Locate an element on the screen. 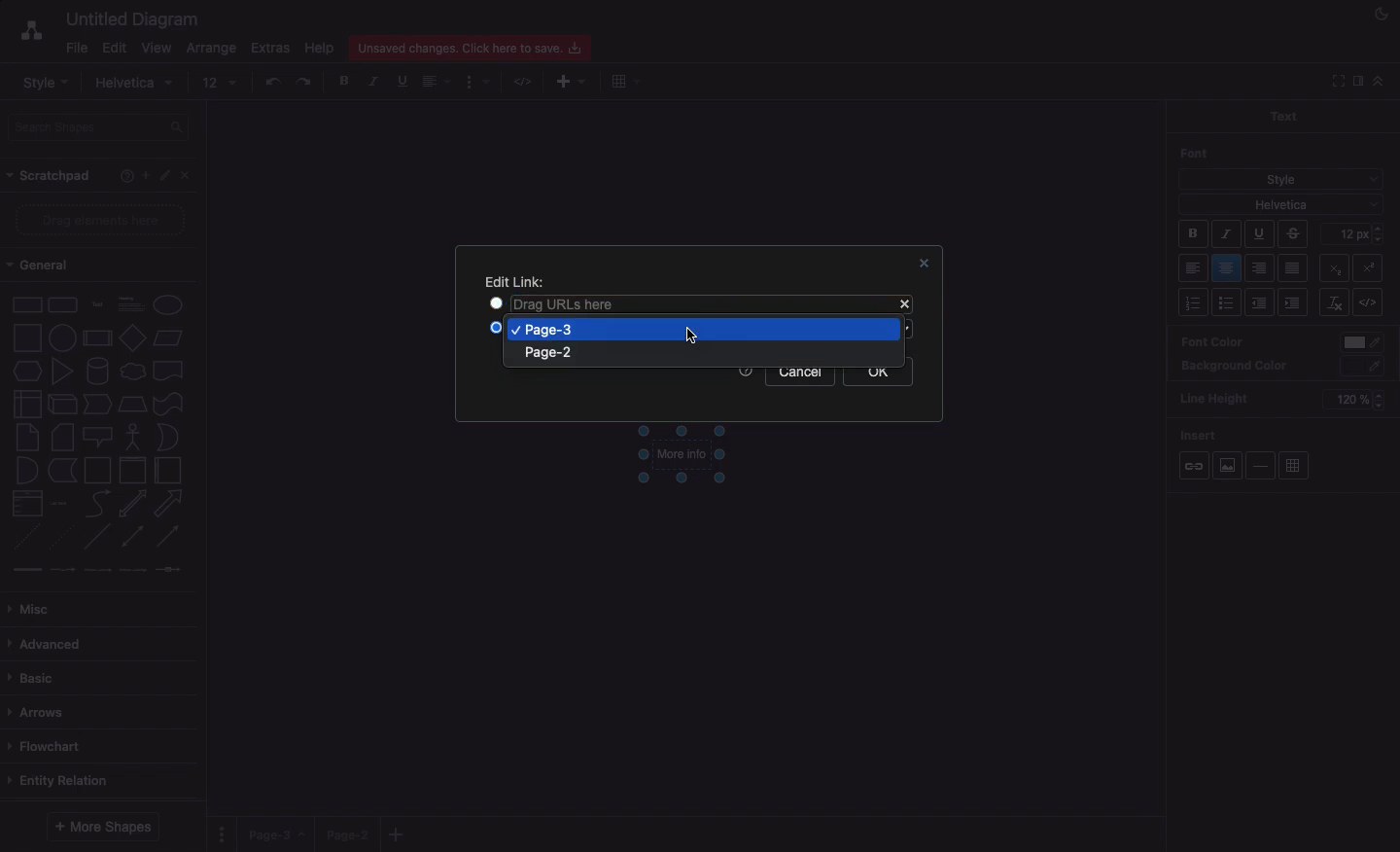 The image size is (1400, 852). Drag URLs here is located at coordinates (695, 303).